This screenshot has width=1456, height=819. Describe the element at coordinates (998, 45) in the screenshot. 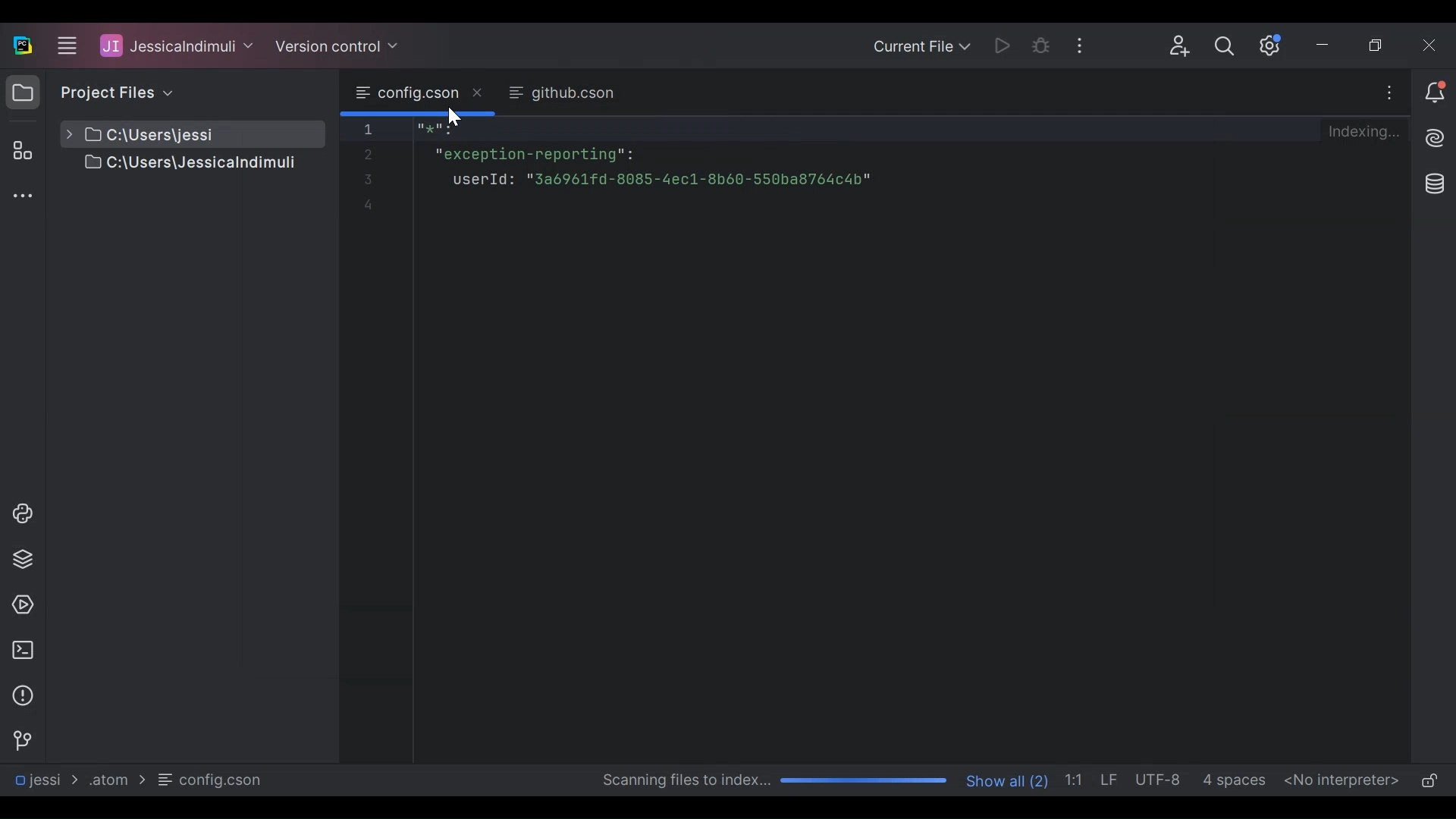

I see `Run` at that location.